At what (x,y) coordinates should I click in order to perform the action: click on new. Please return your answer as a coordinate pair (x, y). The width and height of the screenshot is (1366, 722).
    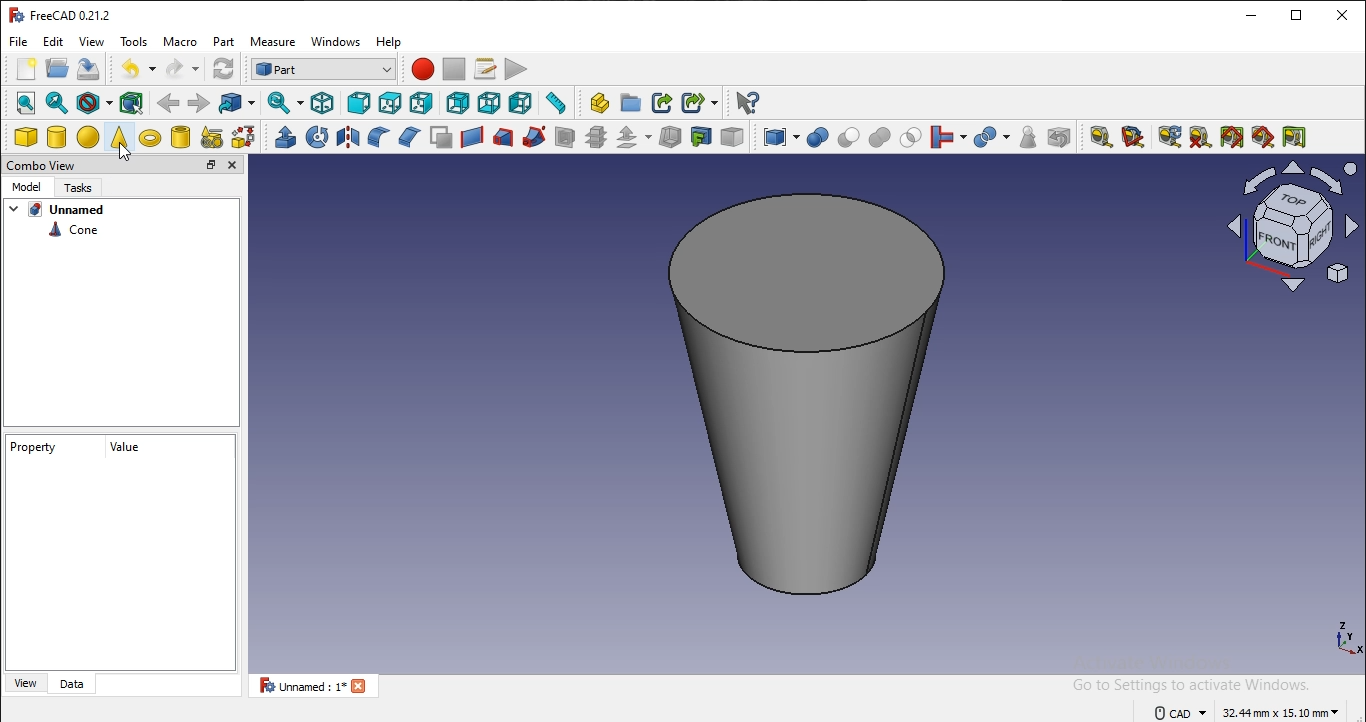
    Looking at the image, I should click on (27, 69).